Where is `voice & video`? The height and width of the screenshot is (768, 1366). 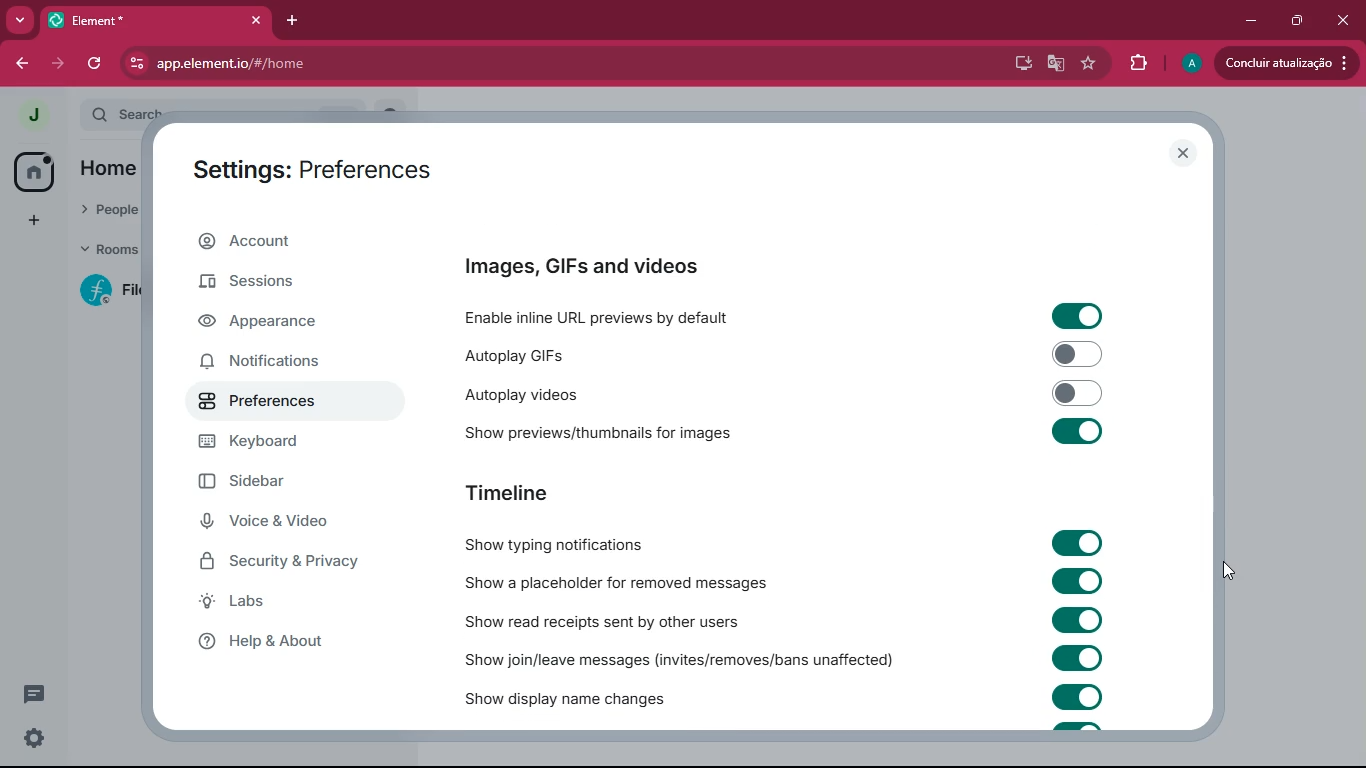
voice & video is located at coordinates (281, 521).